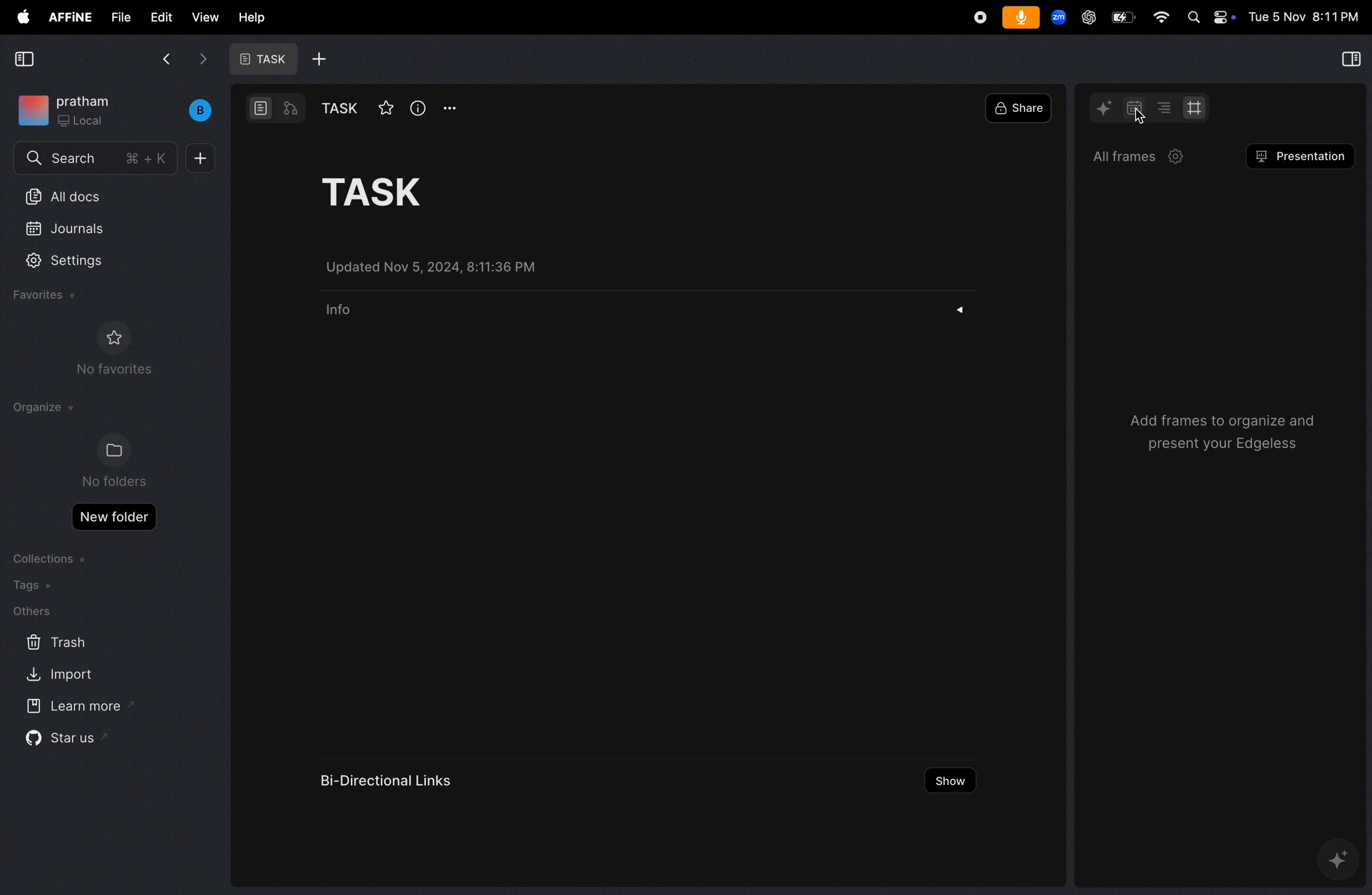  What do you see at coordinates (1120, 17) in the screenshot?
I see `battery` at bounding box center [1120, 17].